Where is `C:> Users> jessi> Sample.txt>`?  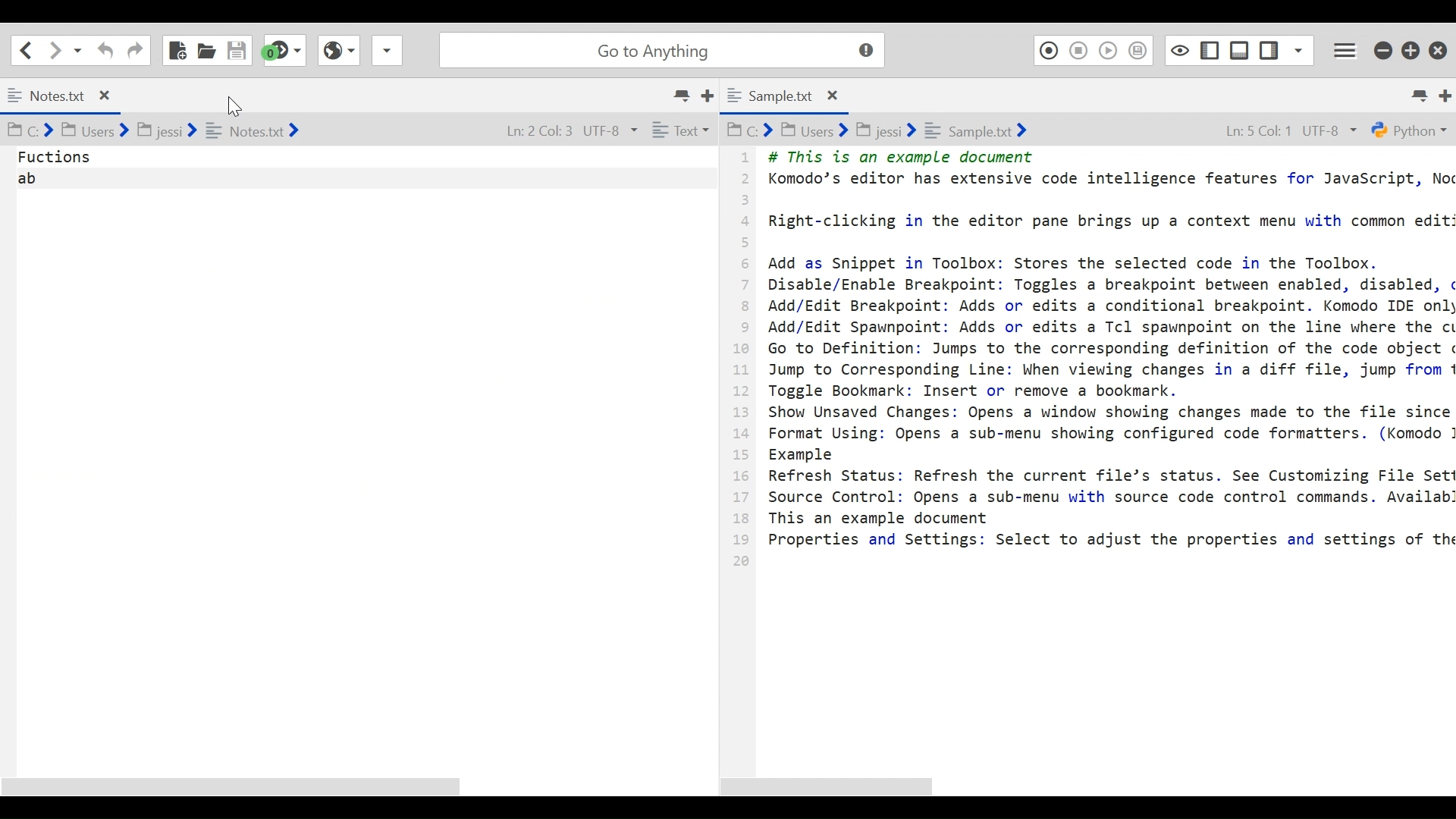 C:> Users> jessi> Sample.txt> is located at coordinates (884, 128).